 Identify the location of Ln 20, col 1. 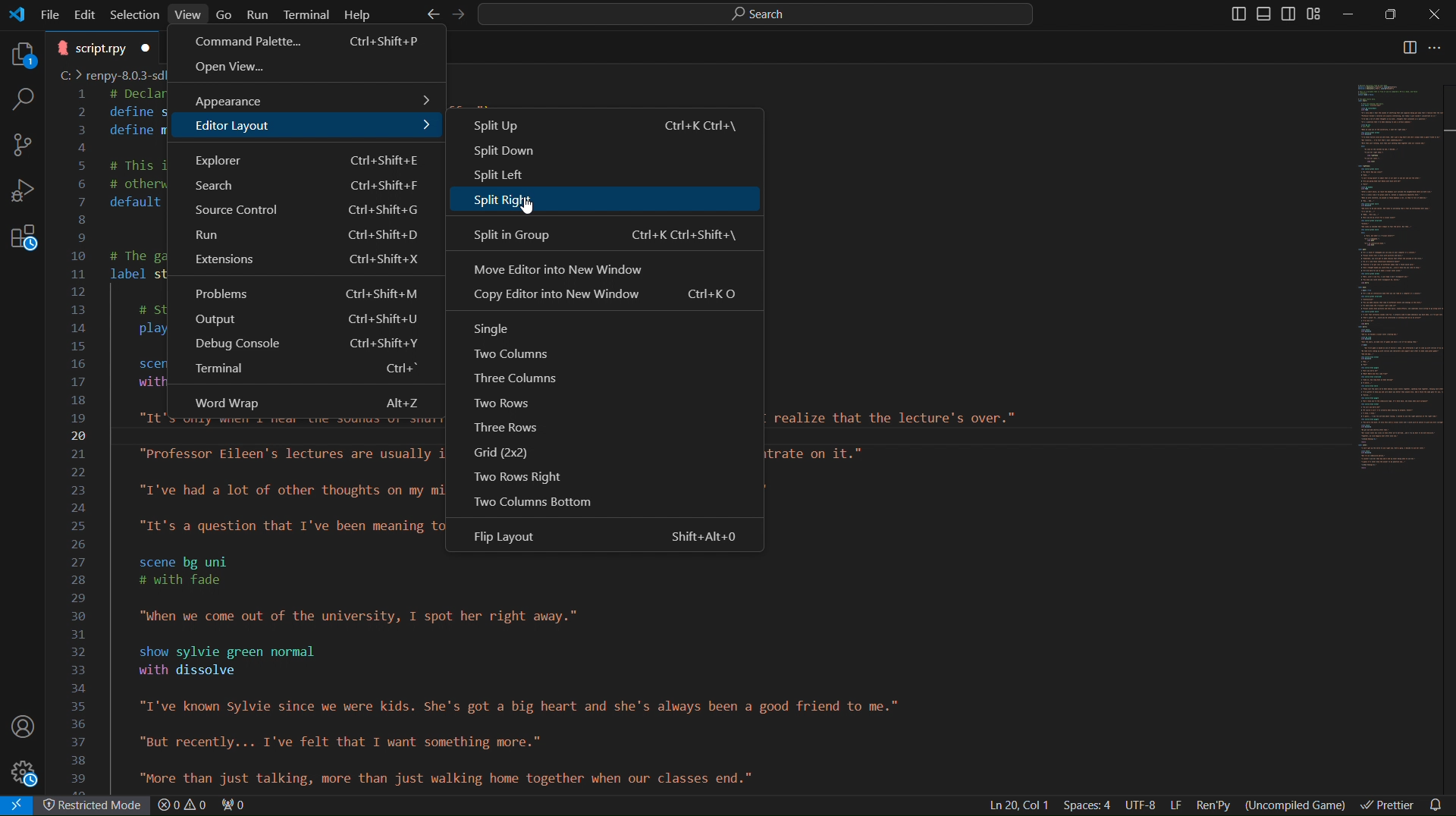
(1016, 805).